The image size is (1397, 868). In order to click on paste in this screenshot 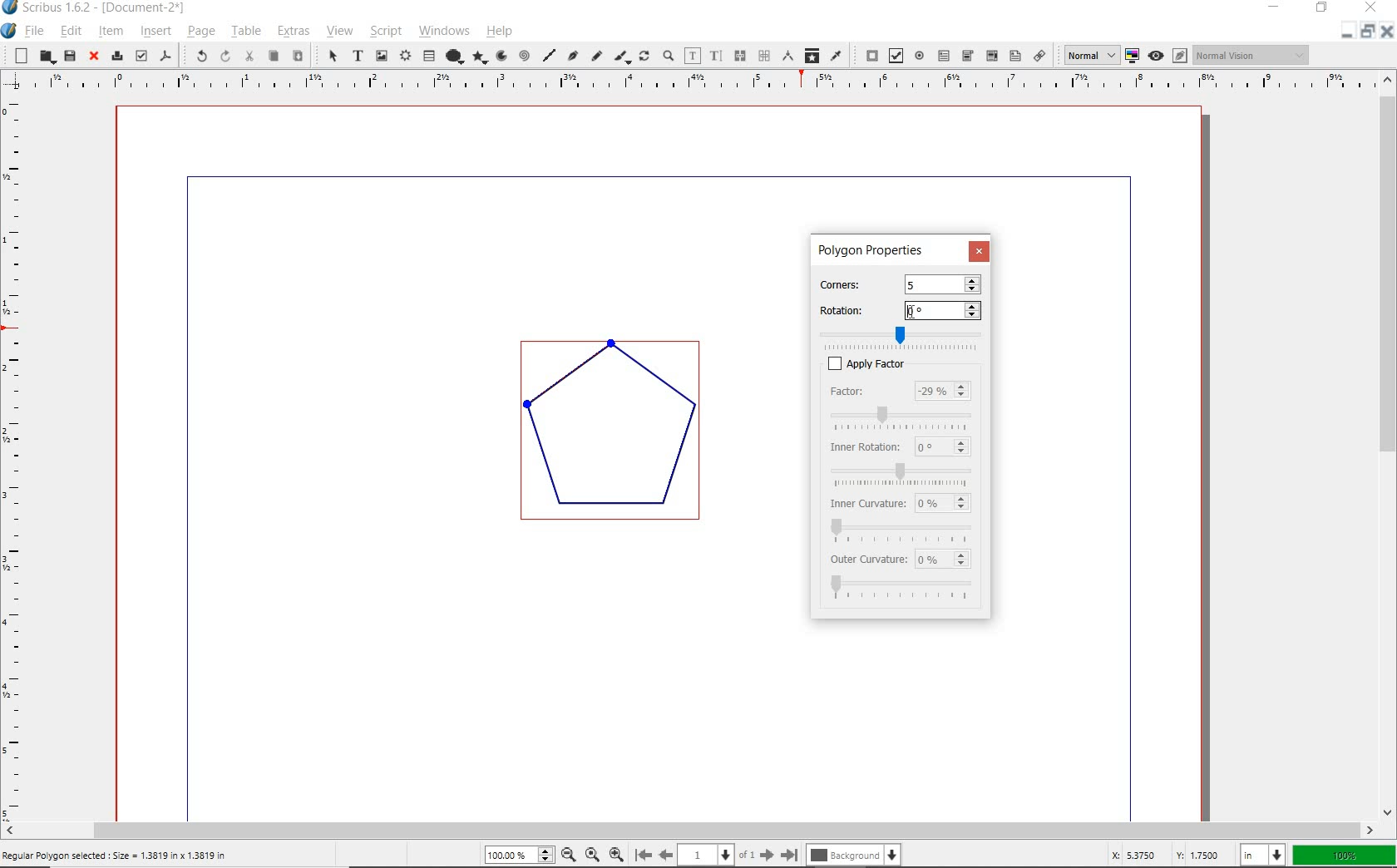, I will do `click(298, 57)`.